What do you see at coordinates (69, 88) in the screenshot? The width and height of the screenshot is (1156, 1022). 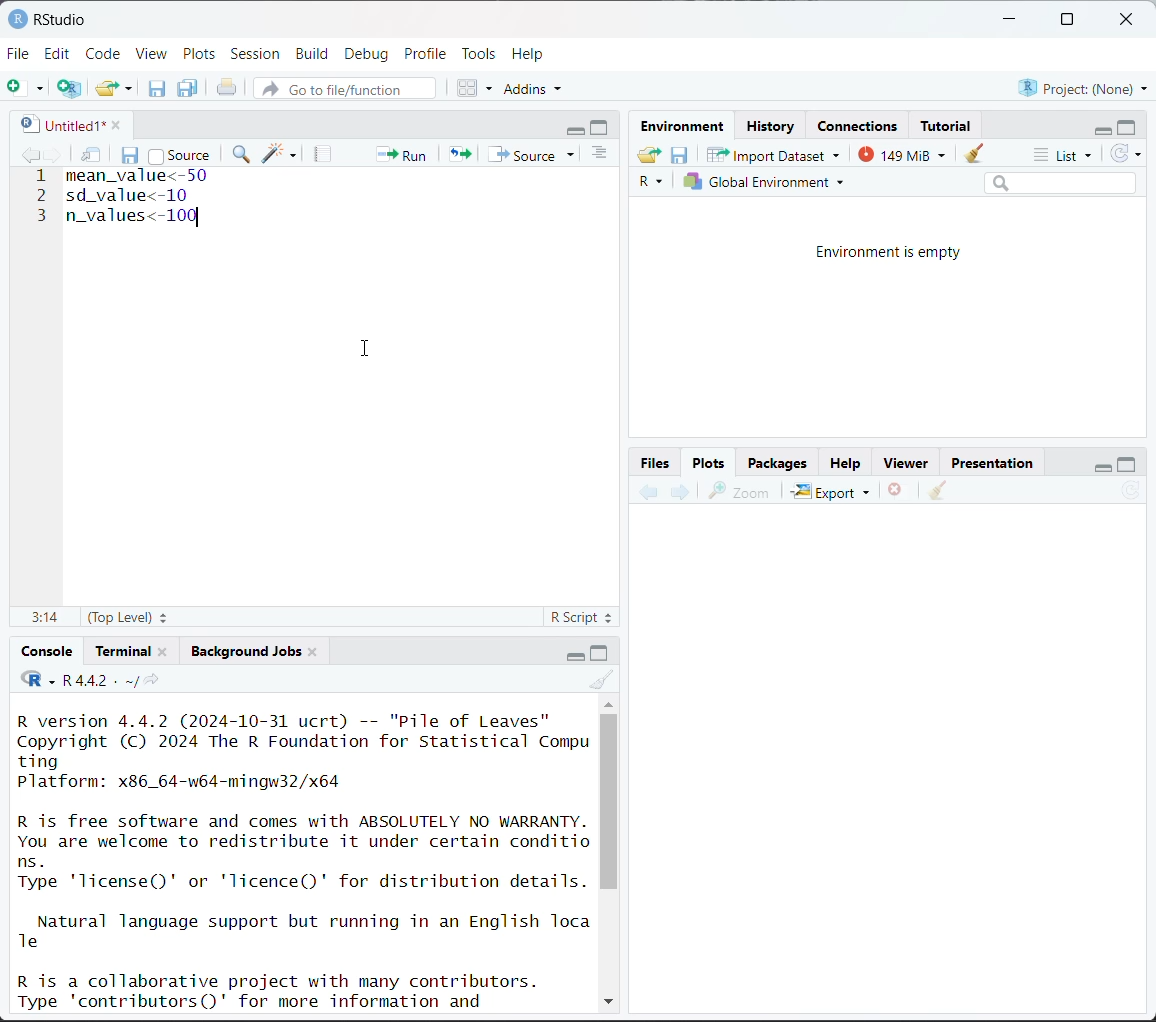 I see `create a project` at bounding box center [69, 88].